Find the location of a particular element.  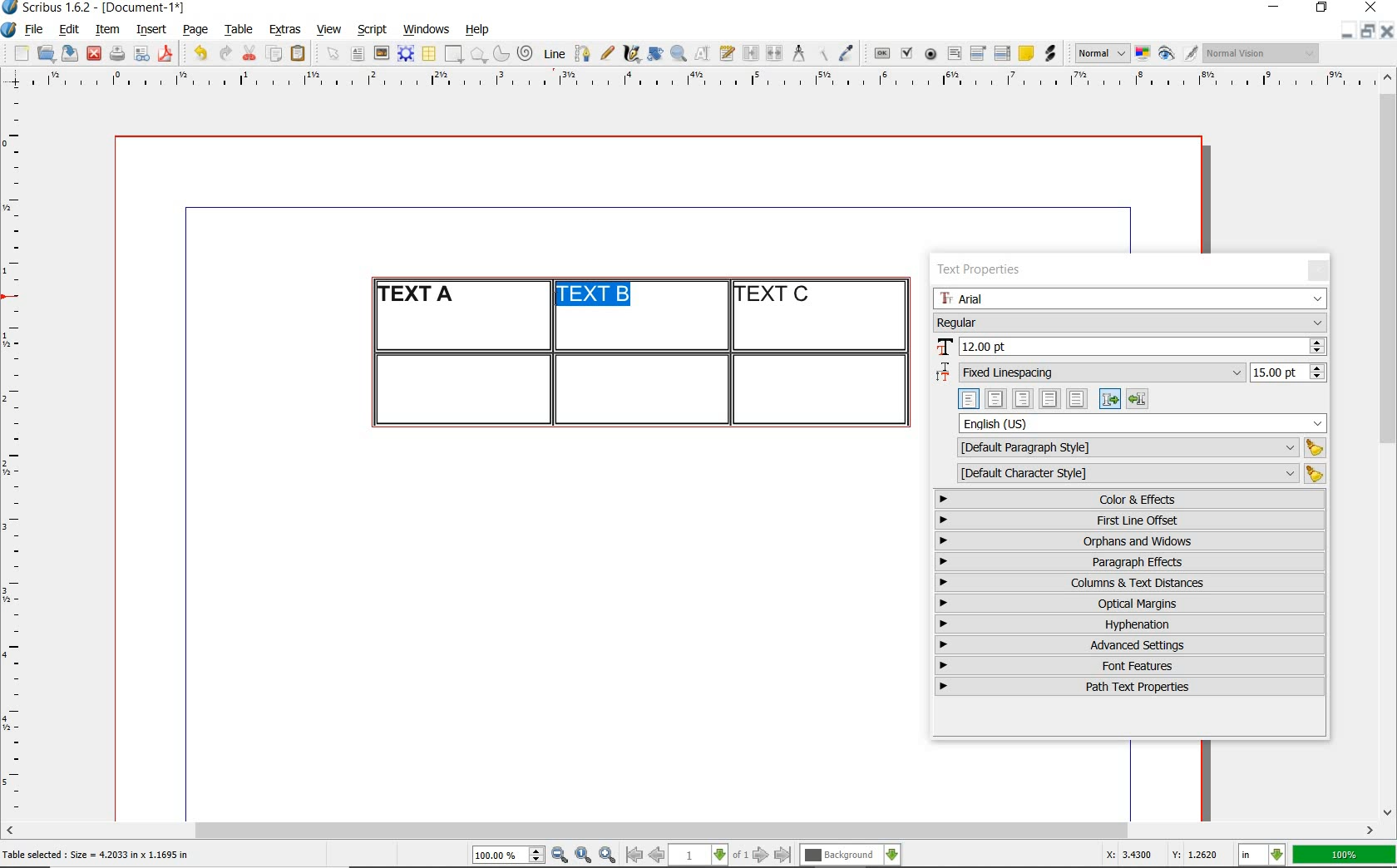

help is located at coordinates (476, 31).